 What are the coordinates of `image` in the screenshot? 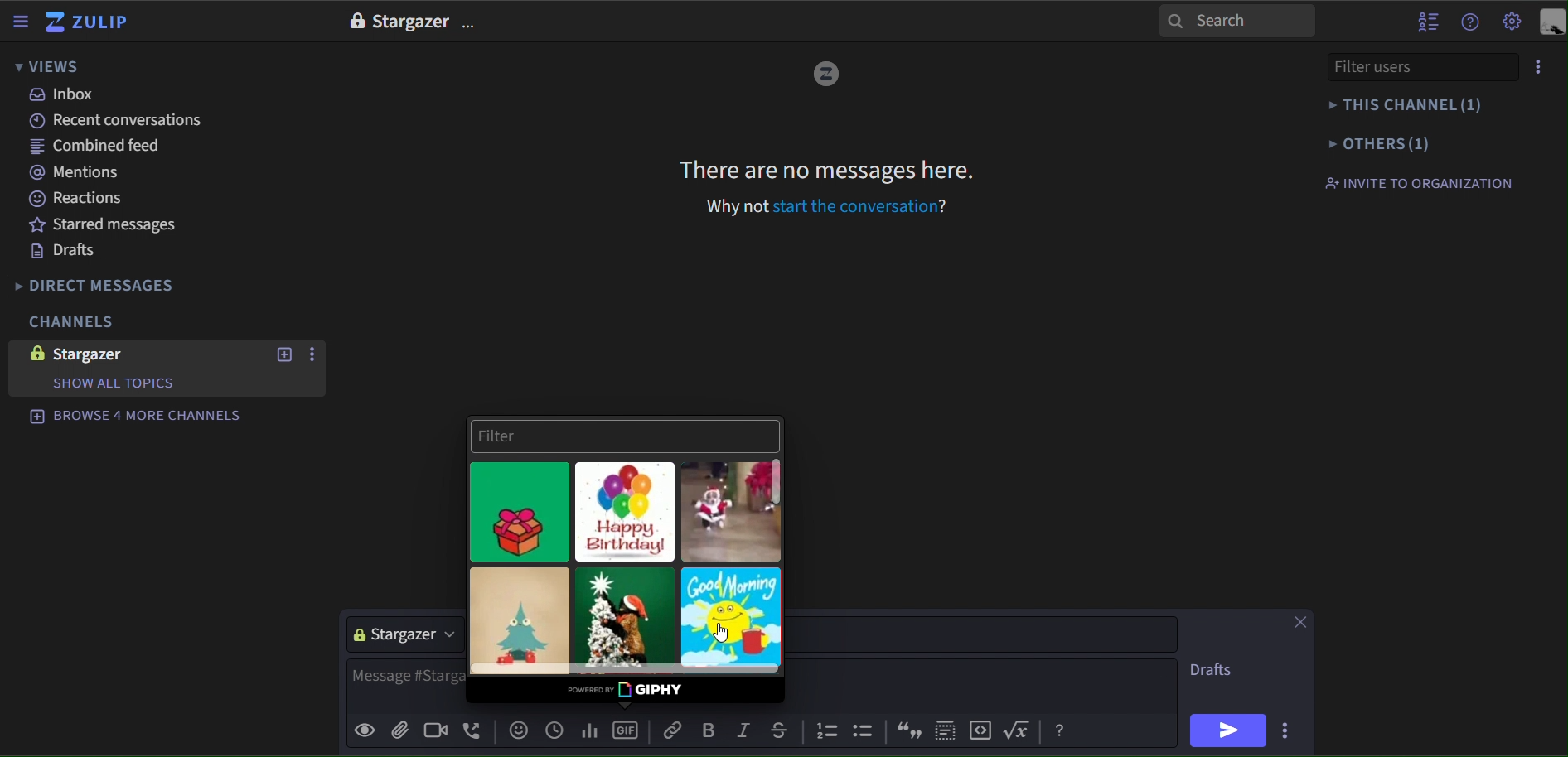 It's located at (625, 512).